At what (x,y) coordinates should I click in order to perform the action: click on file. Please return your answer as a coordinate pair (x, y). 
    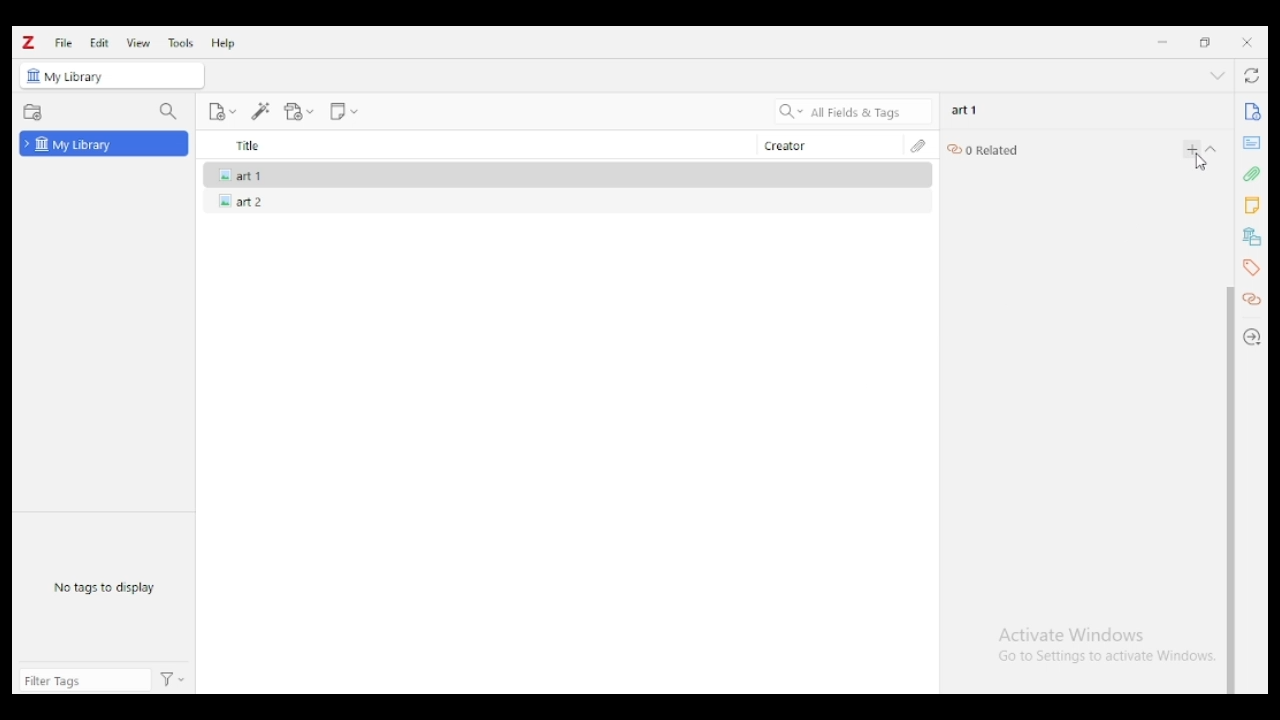
    Looking at the image, I should click on (63, 42).